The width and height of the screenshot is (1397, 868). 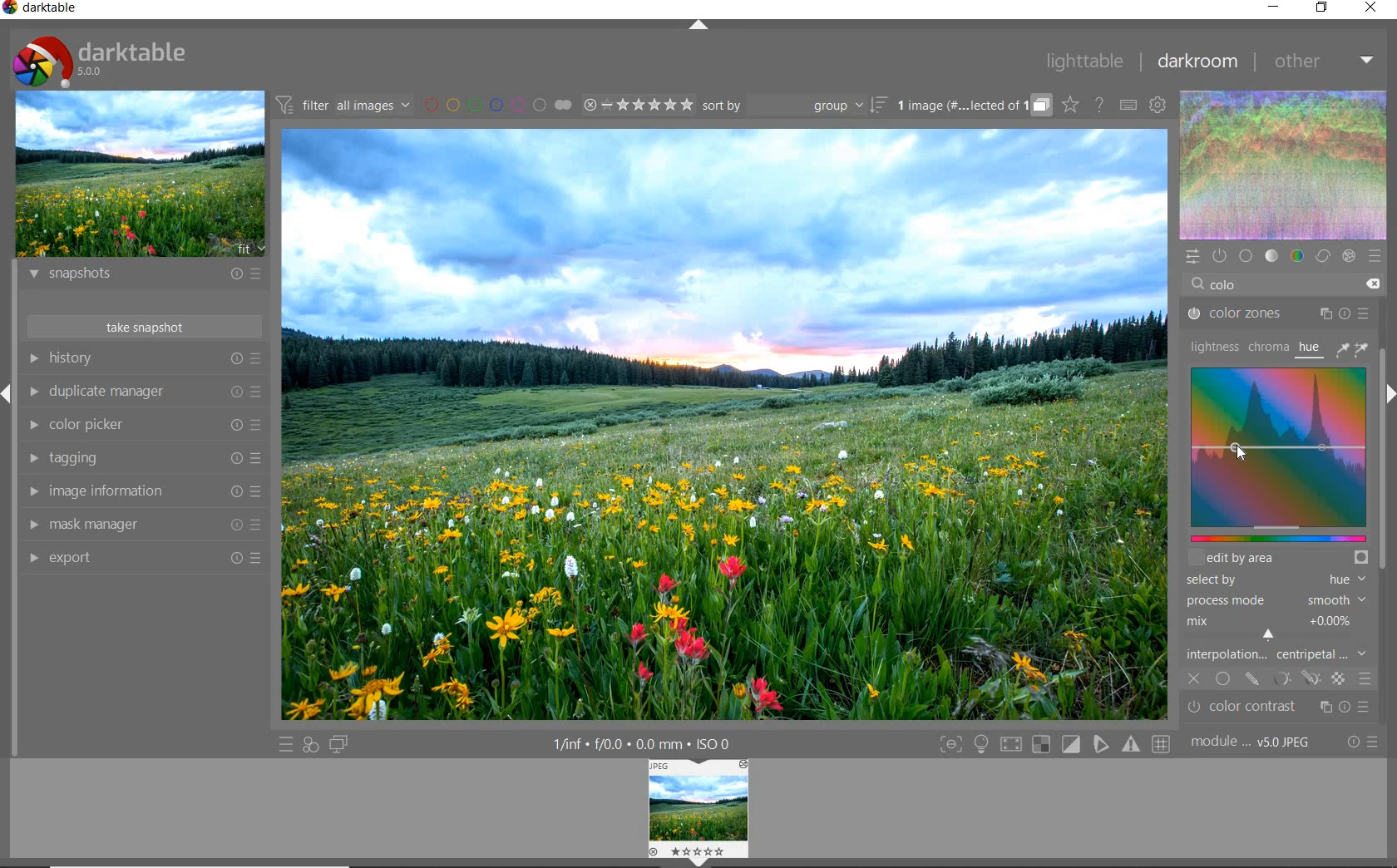 What do you see at coordinates (793, 107) in the screenshot?
I see `sort` at bounding box center [793, 107].